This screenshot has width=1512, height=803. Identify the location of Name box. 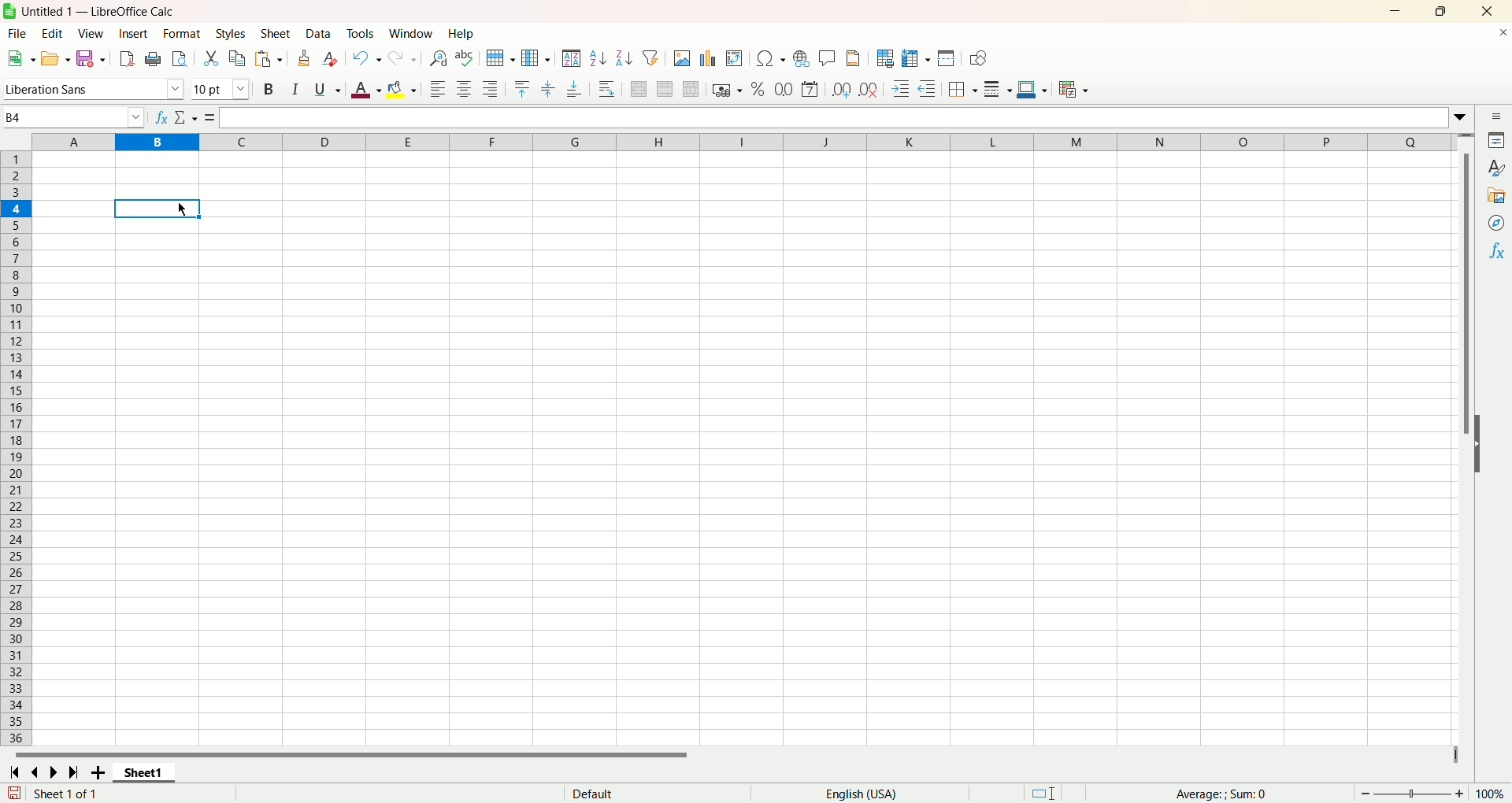
(72, 117).